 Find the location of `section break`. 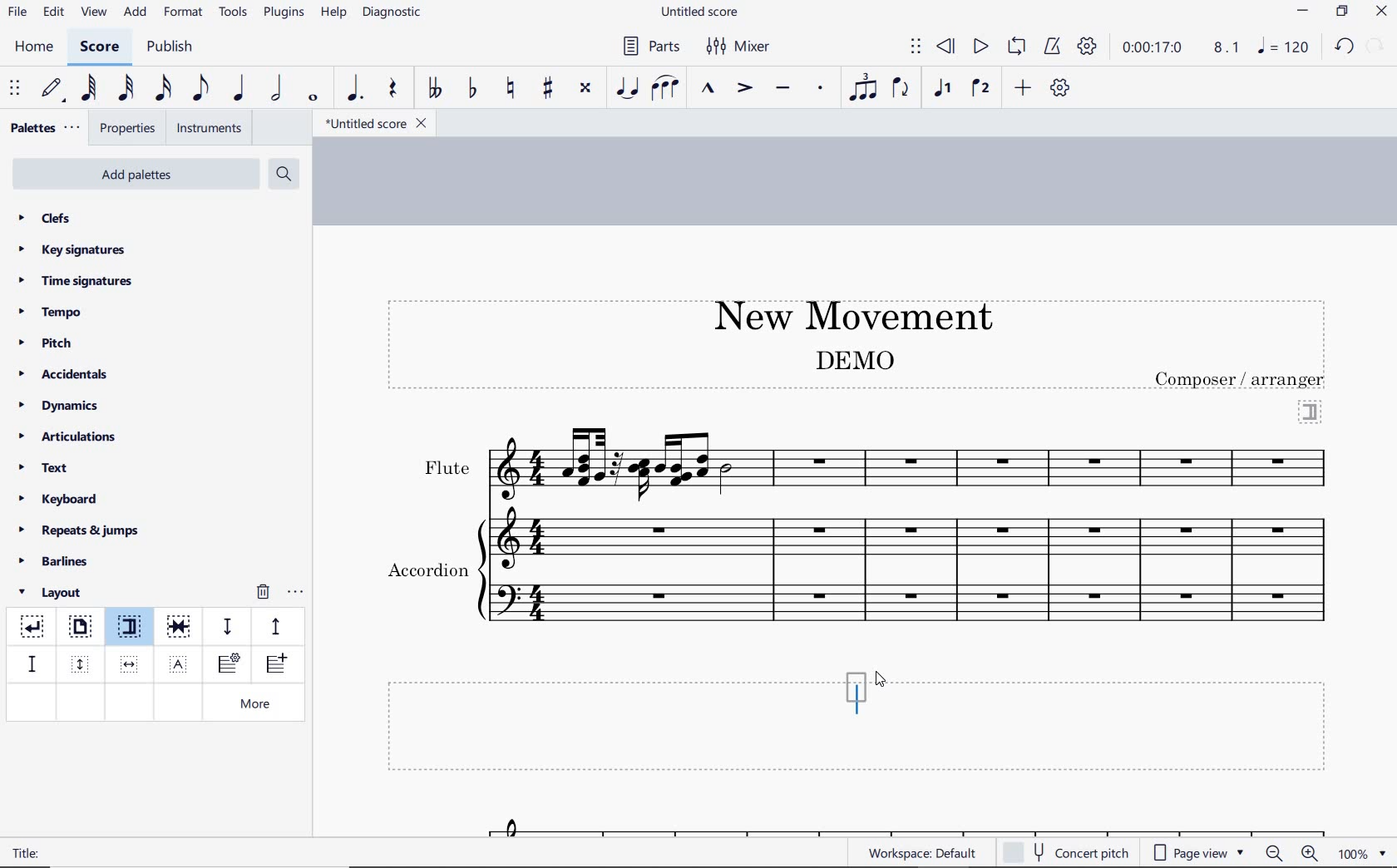

section break is located at coordinates (133, 629).